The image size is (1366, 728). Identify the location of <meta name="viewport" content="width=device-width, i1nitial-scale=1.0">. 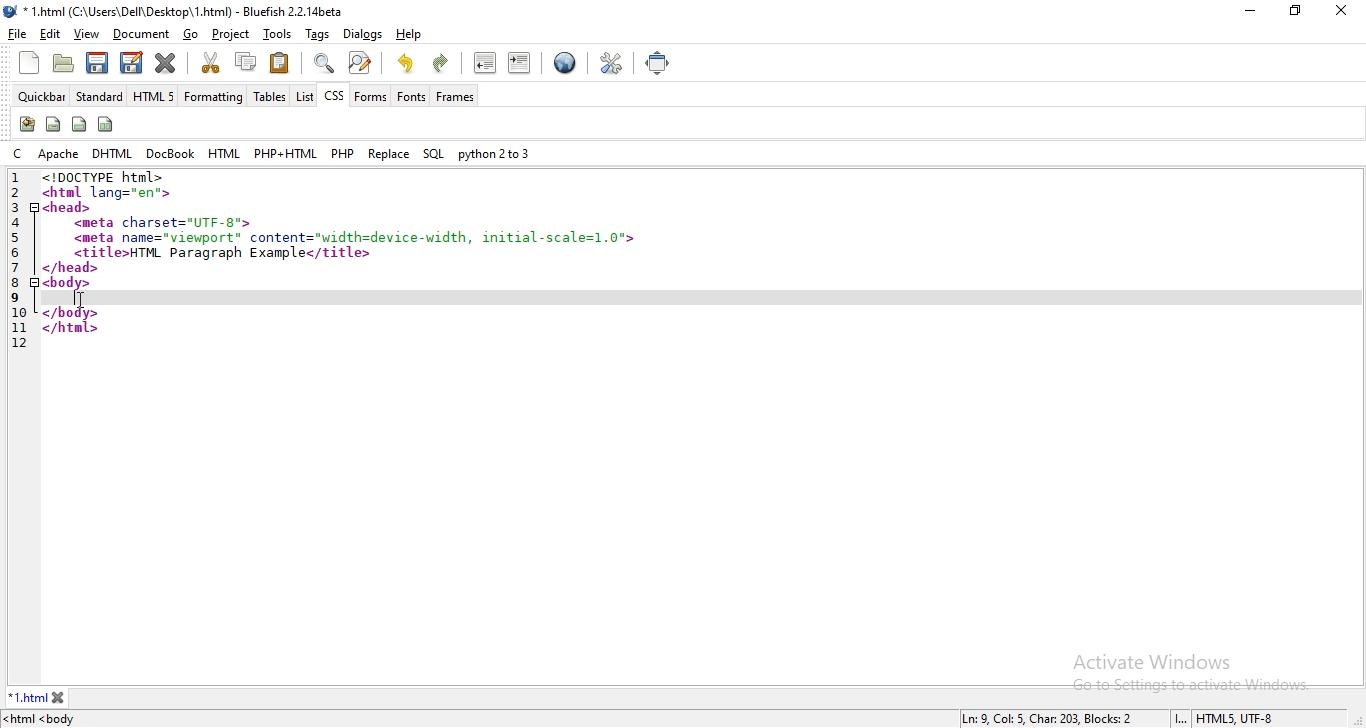
(356, 239).